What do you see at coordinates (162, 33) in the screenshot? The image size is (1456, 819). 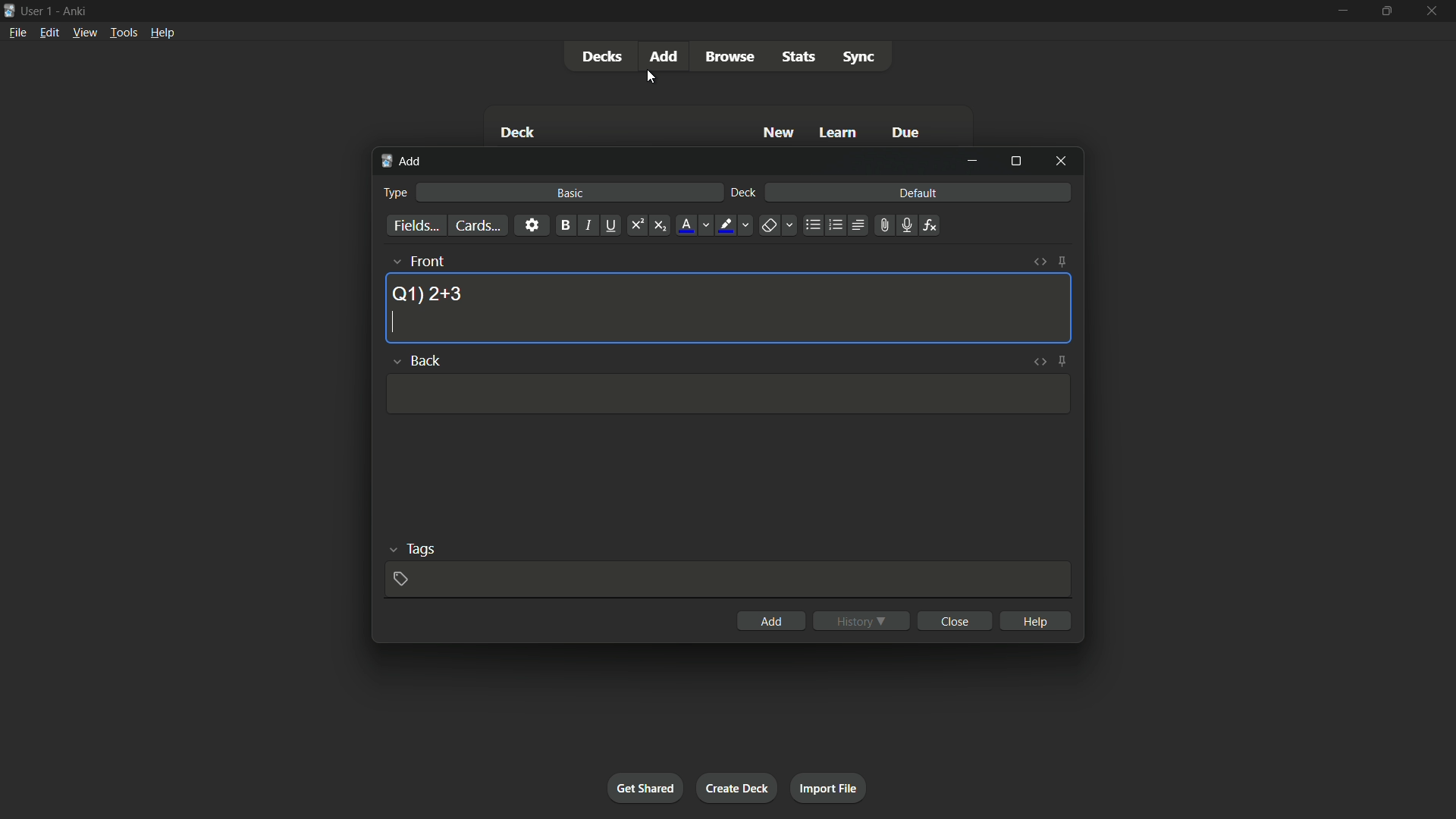 I see `help menu` at bounding box center [162, 33].